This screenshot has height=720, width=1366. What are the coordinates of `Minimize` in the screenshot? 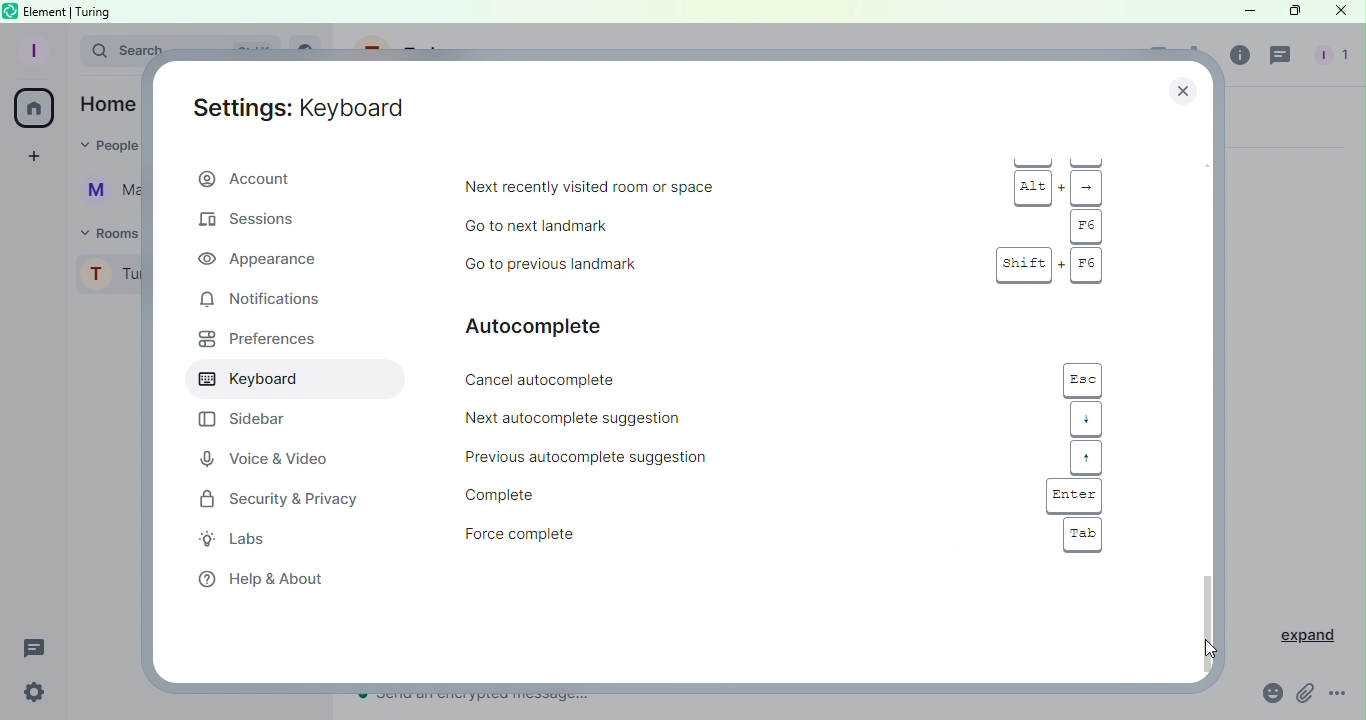 It's located at (1247, 10).